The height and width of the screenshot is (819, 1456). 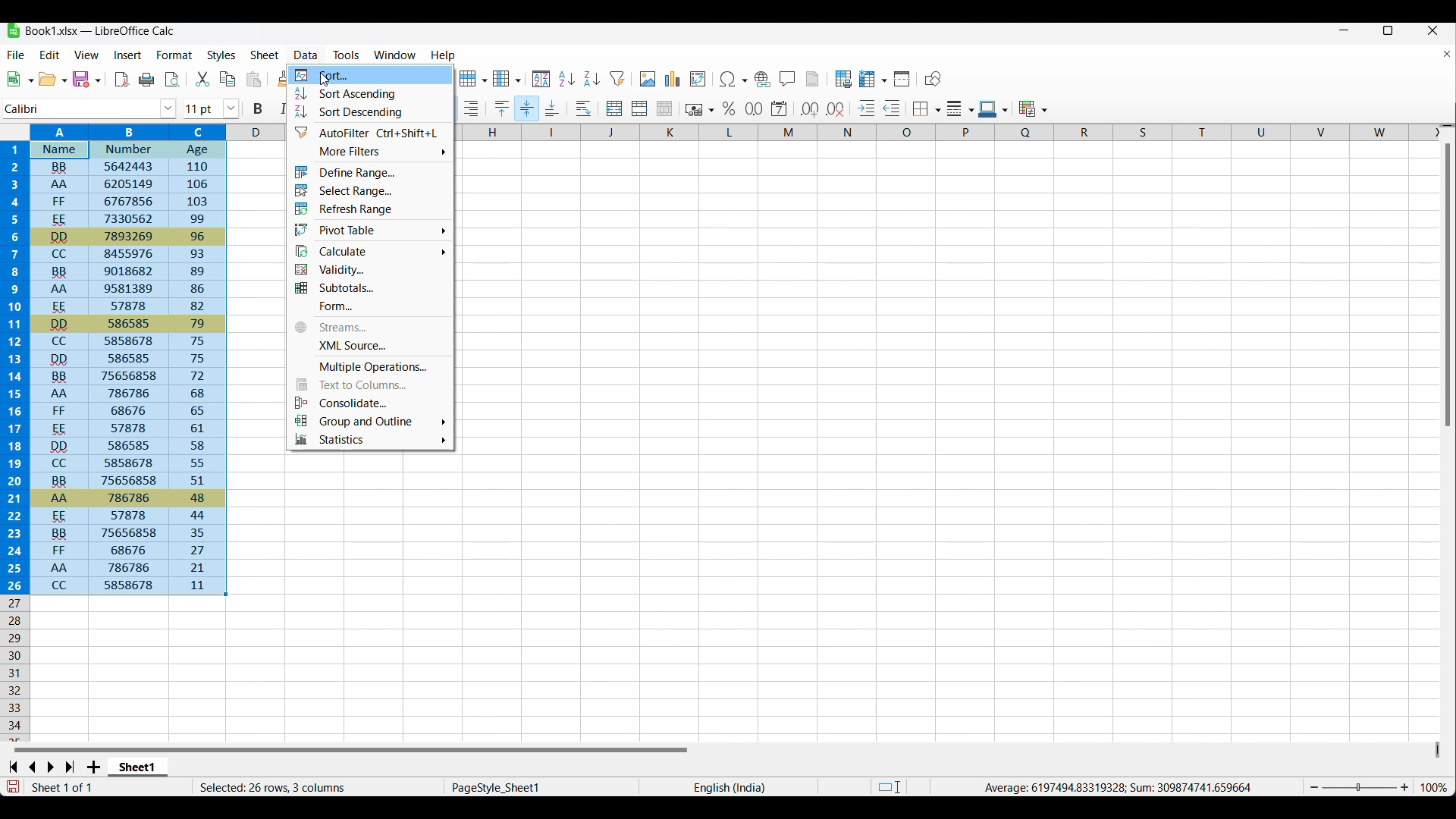 What do you see at coordinates (471, 108) in the screenshot?
I see `Align right` at bounding box center [471, 108].